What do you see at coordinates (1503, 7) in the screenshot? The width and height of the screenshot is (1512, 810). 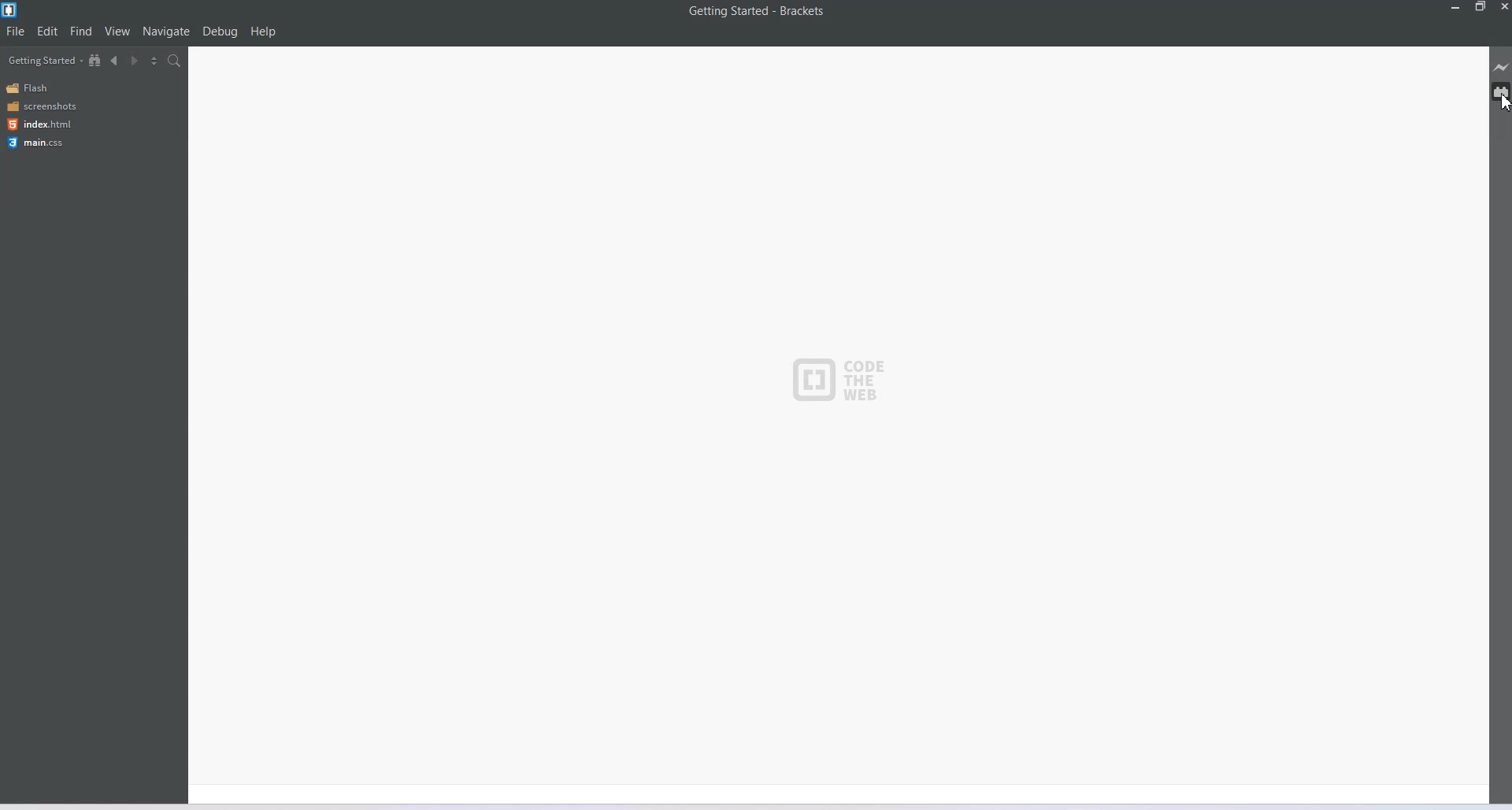 I see `Close` at bounding box center [1503, 7].